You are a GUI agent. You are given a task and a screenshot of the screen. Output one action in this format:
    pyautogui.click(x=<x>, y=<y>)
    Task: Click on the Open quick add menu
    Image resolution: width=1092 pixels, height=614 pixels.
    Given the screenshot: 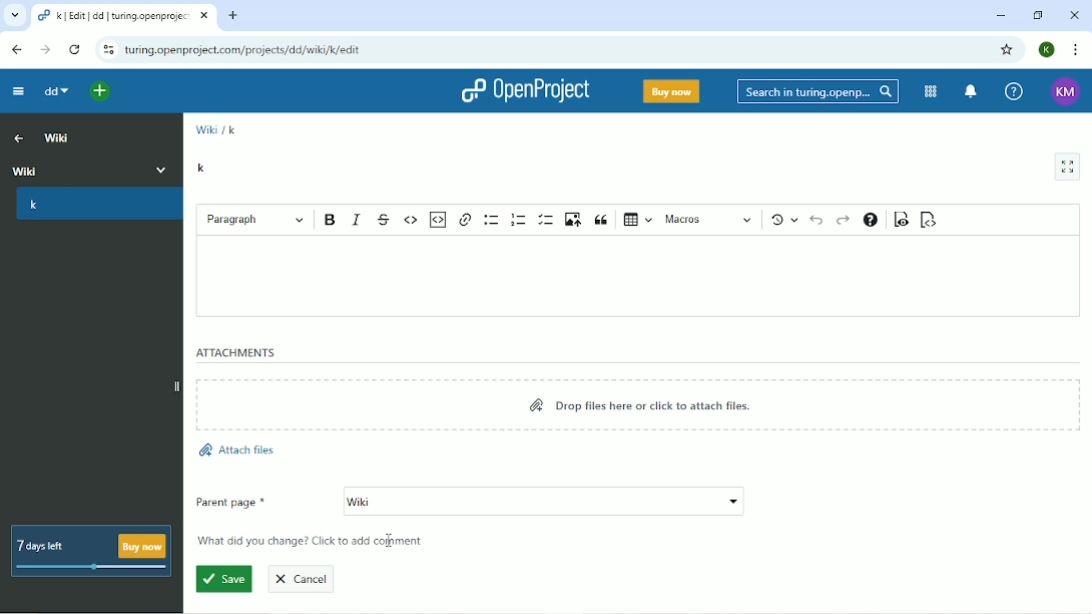 What is the action you would take?
    pyautogui.click(x=97, y=90)
    